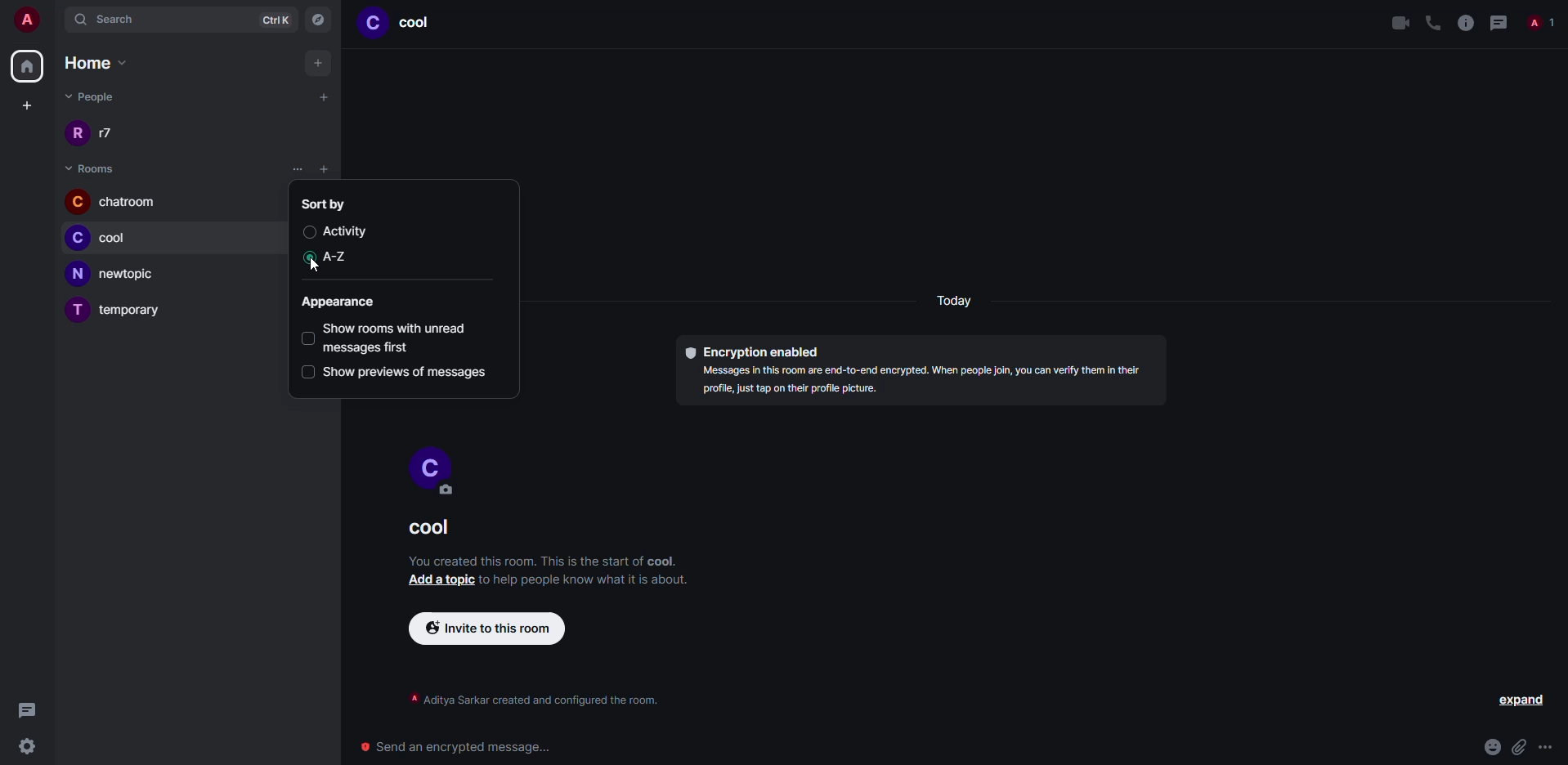 The image size is (1568, 765). Describe the element at coordinates (451, 748) in the screenshot. I see `send encrypted message` at that location.